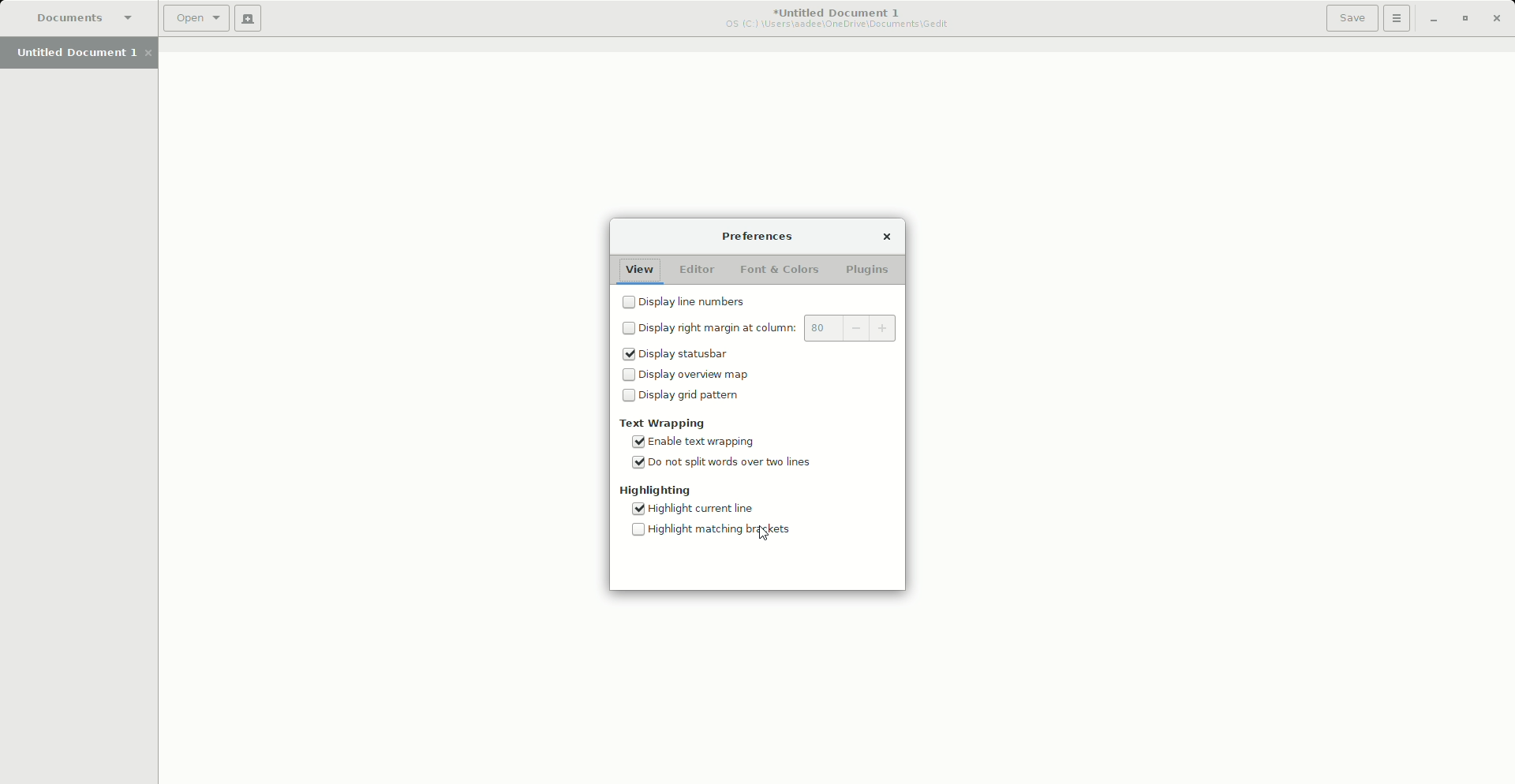 The width and height of the screenshot is (1515, 784). What do you see at coordinates (77, 17) in the screenshot?
I see `Documents` at bounding box center [77, 17].